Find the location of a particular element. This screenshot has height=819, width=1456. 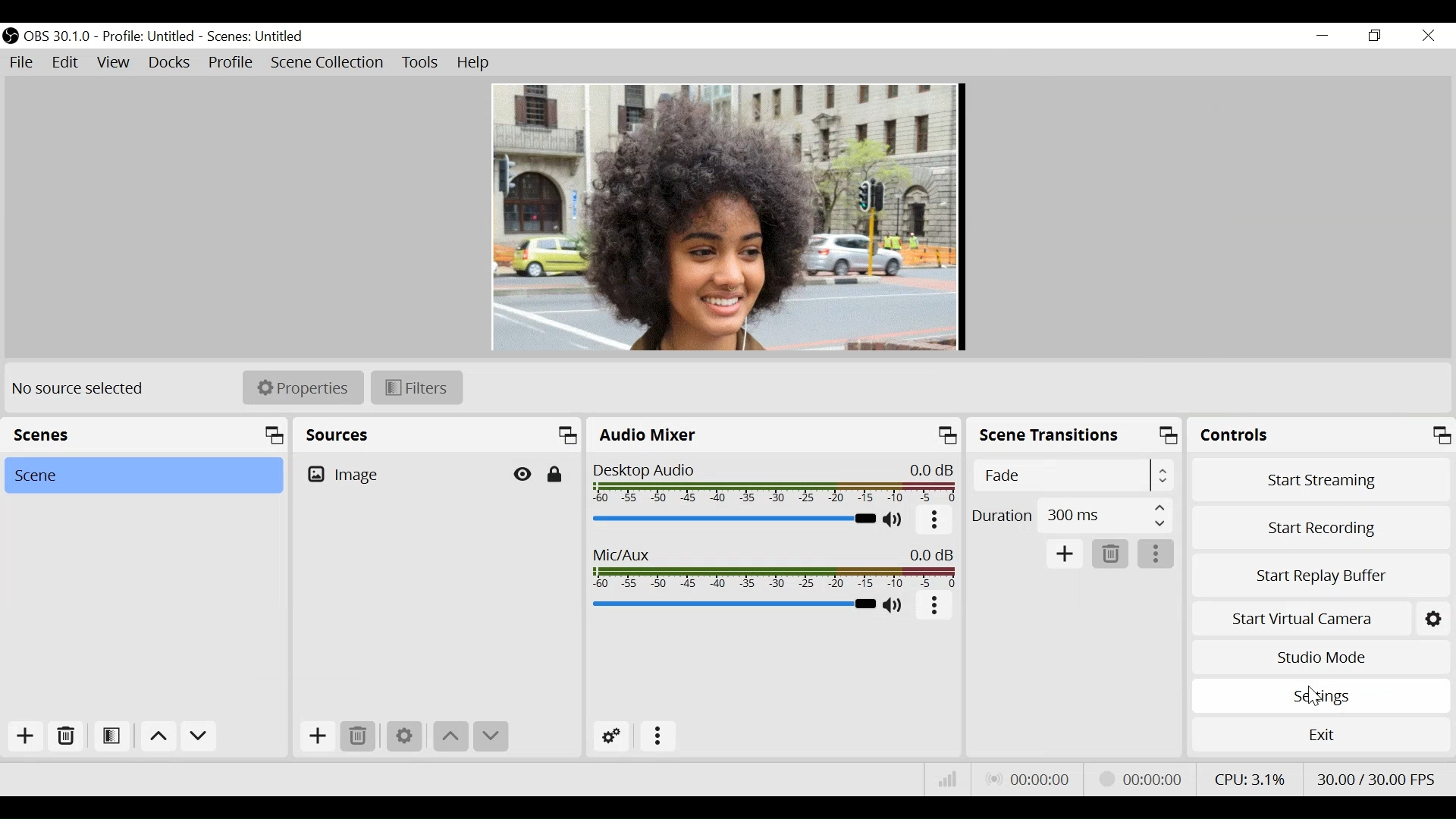

Profile is located at coordinates (149, 37).